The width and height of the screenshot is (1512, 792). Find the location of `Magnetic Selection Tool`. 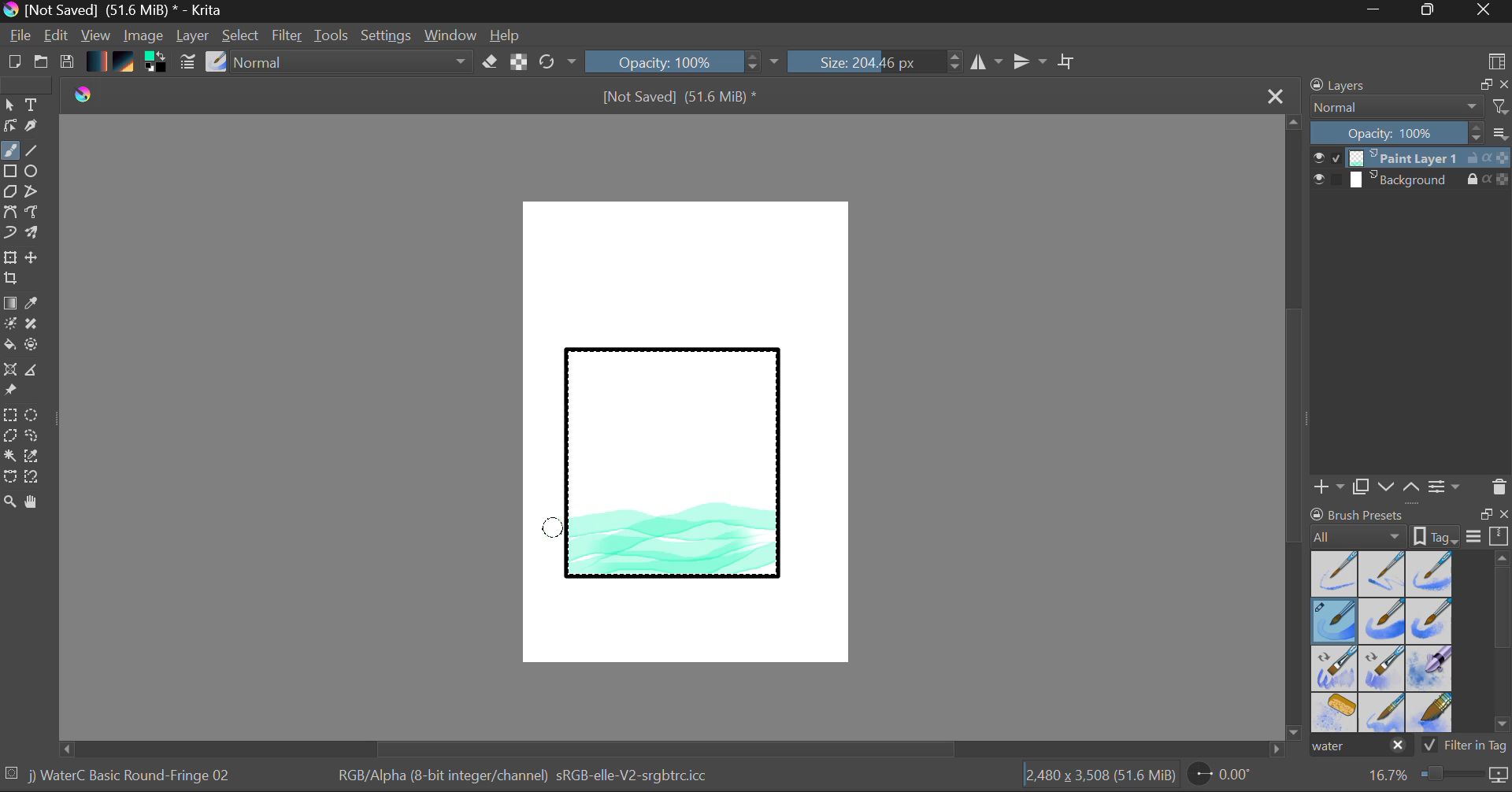

Magnetic Selection Tool is located at coordinates (32, 477).